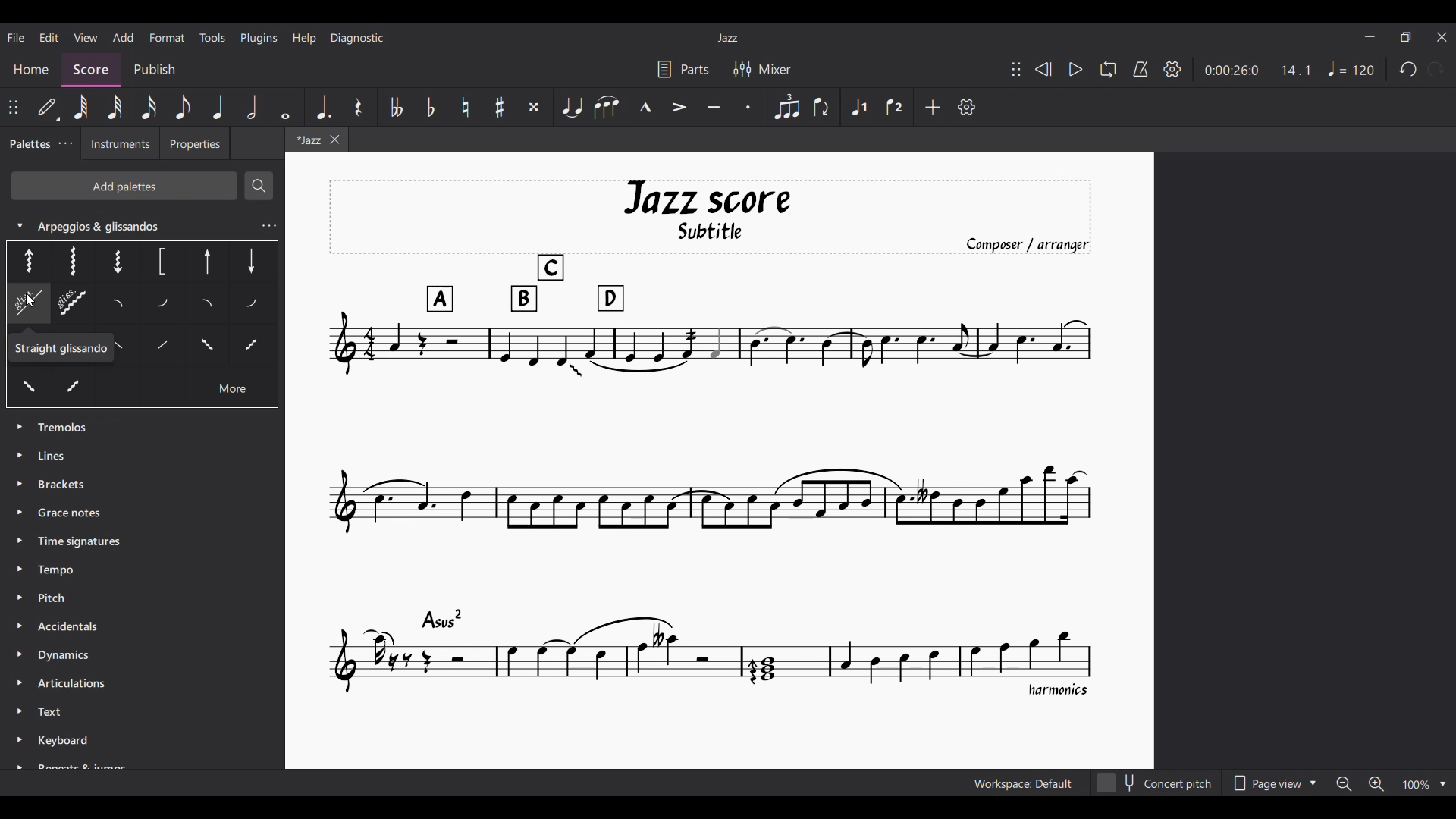  I want to click on Format menu, so click(167, 37).